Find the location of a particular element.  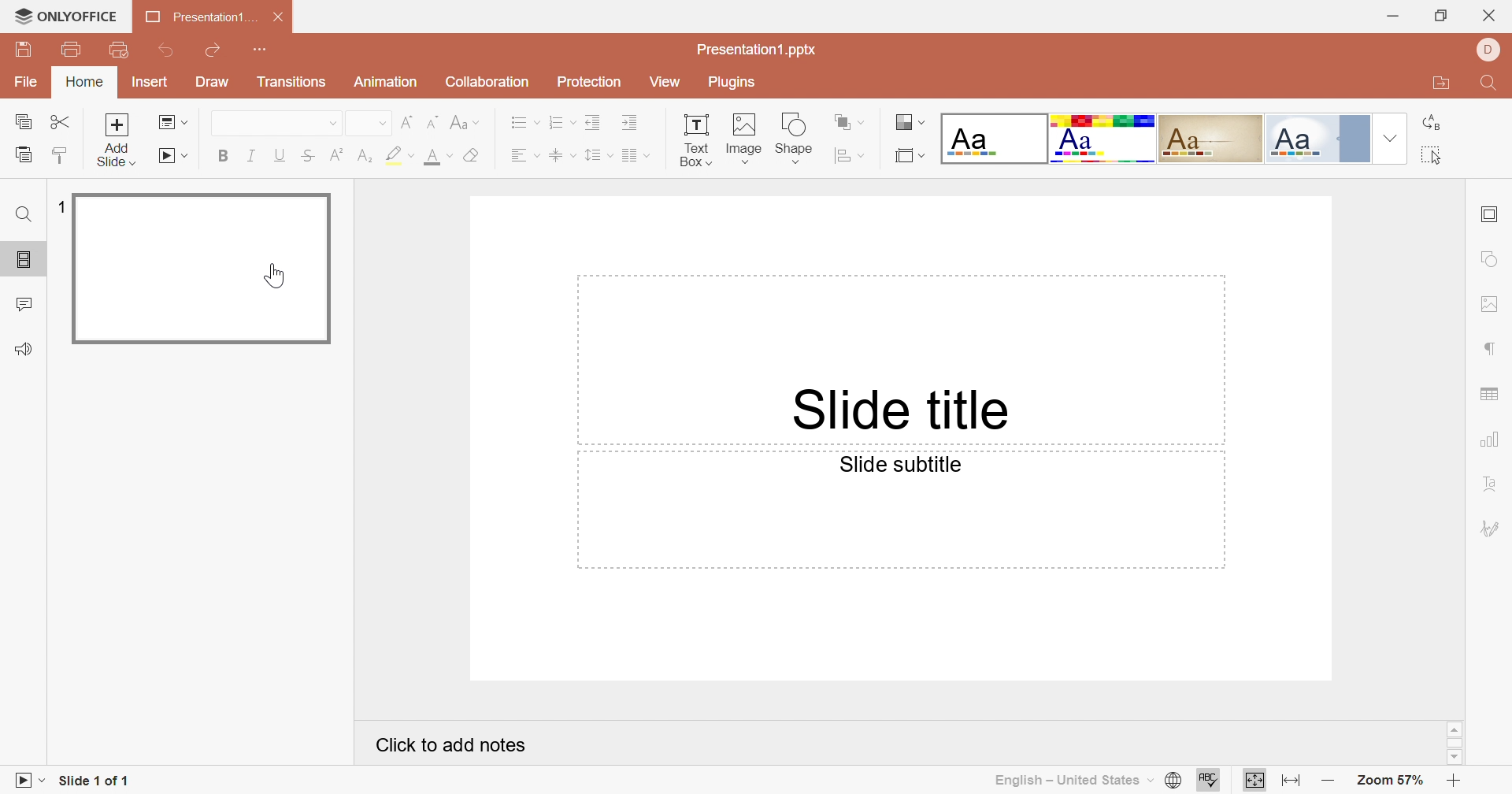

Drop Down is located at coordinates (574, 121).